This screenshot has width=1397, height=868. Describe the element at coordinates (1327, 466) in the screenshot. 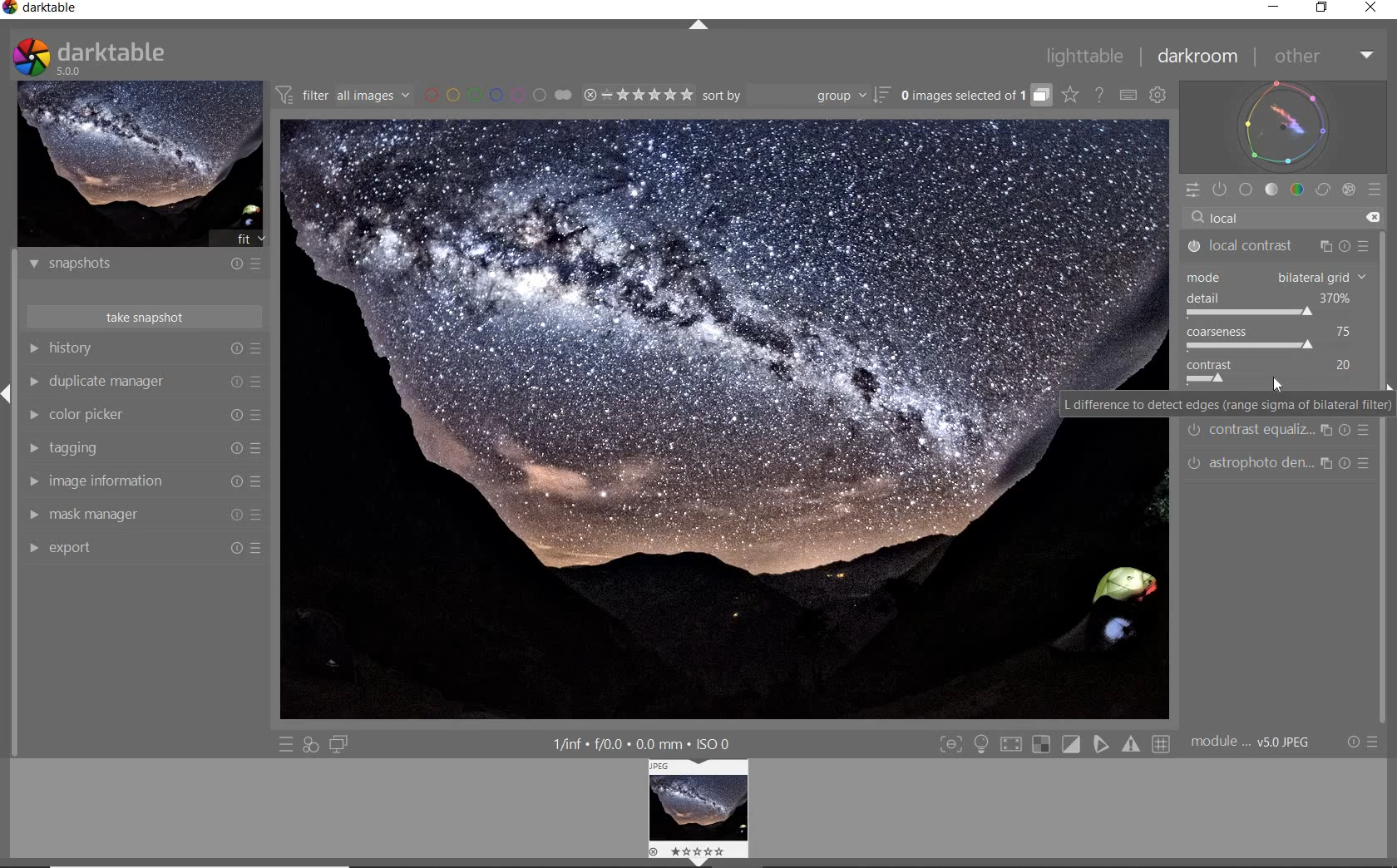

I see `multiple instance actions` at that location.